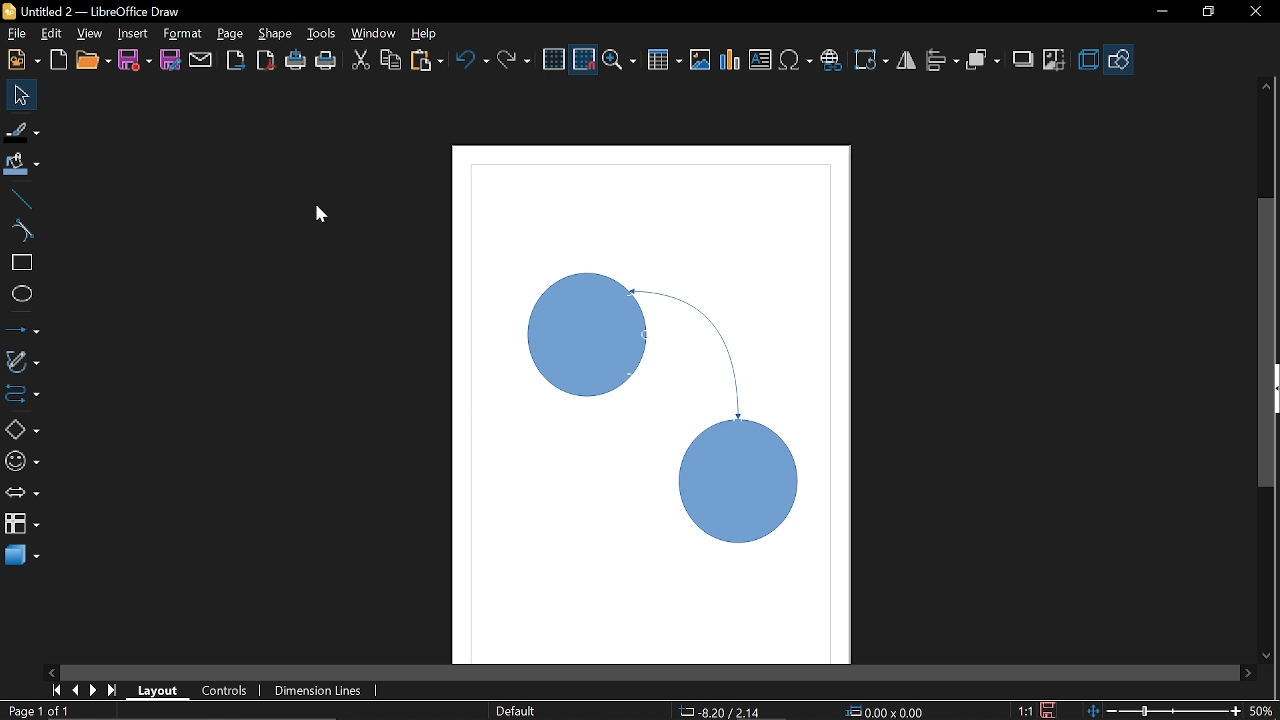 Image resolution: width=1280 pixels, height=720 pixels. Describe the element at coordinates (326, 60) in the screenshot. I see `Print` at that location.